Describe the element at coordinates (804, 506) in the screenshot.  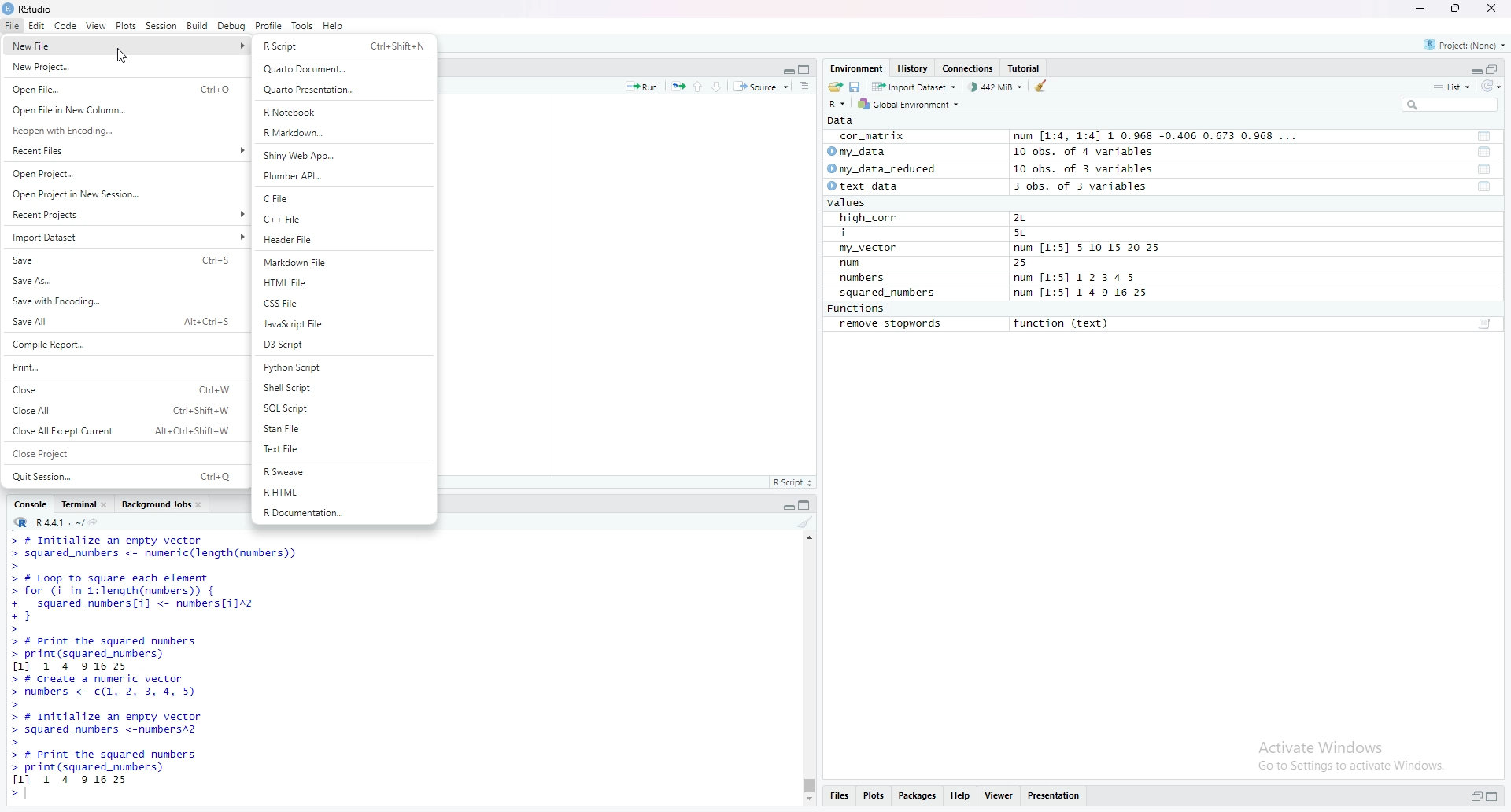
I see `maximize` at that location.